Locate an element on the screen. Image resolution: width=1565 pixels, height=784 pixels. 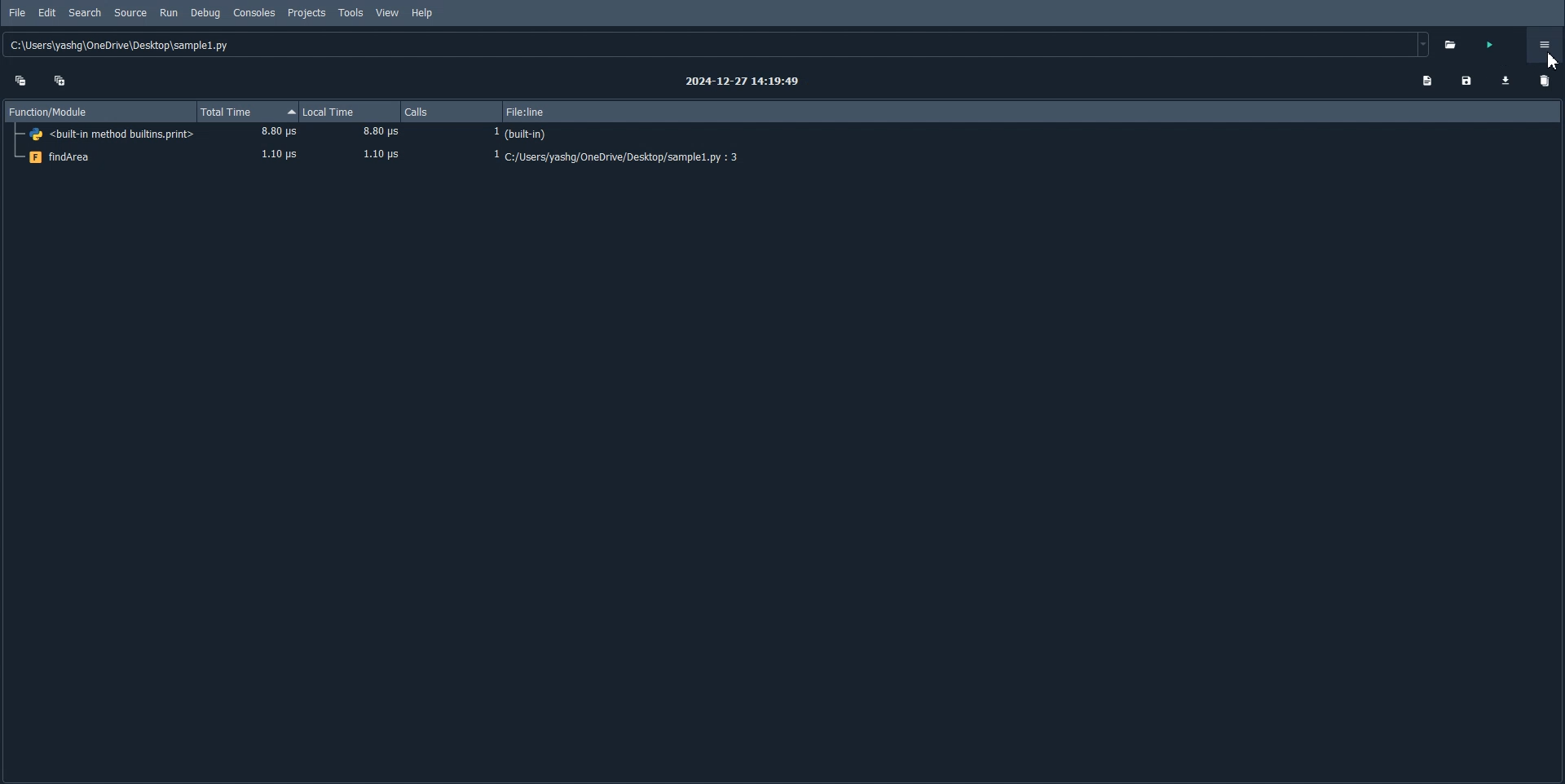
Options is located at coordinates (1545, 44).